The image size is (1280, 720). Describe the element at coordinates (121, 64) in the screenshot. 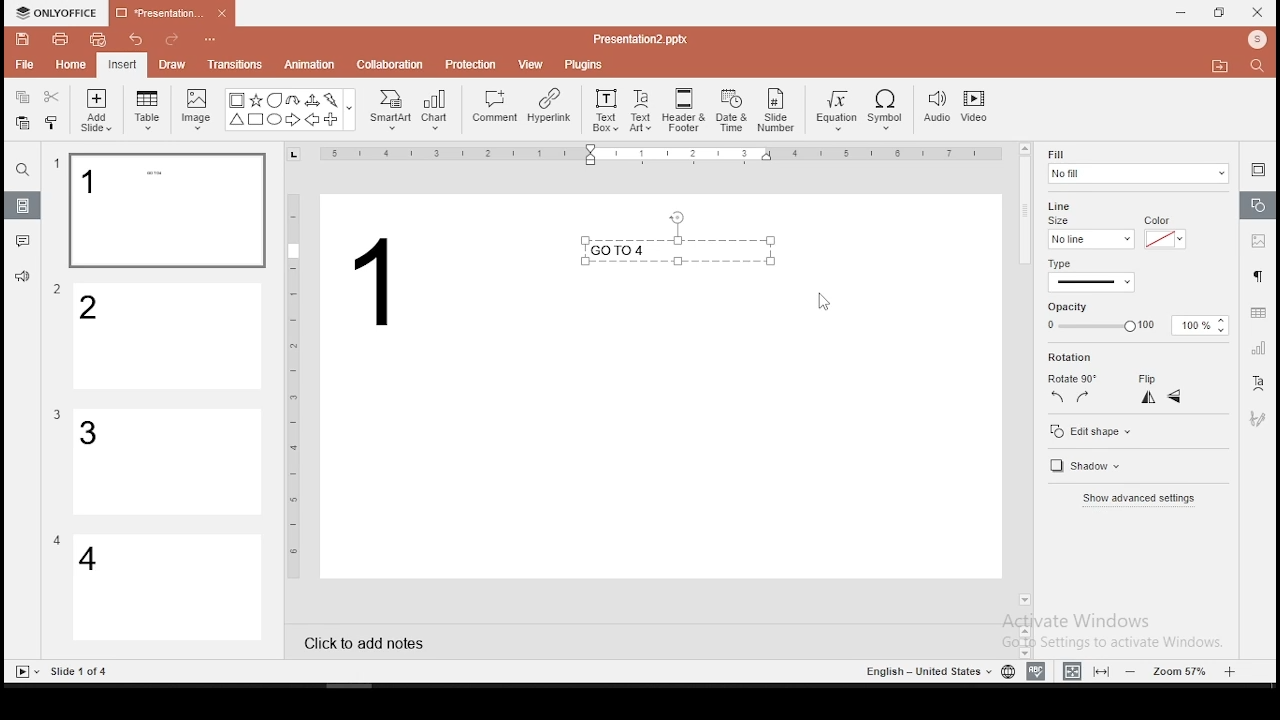

I see `insert` at that location.